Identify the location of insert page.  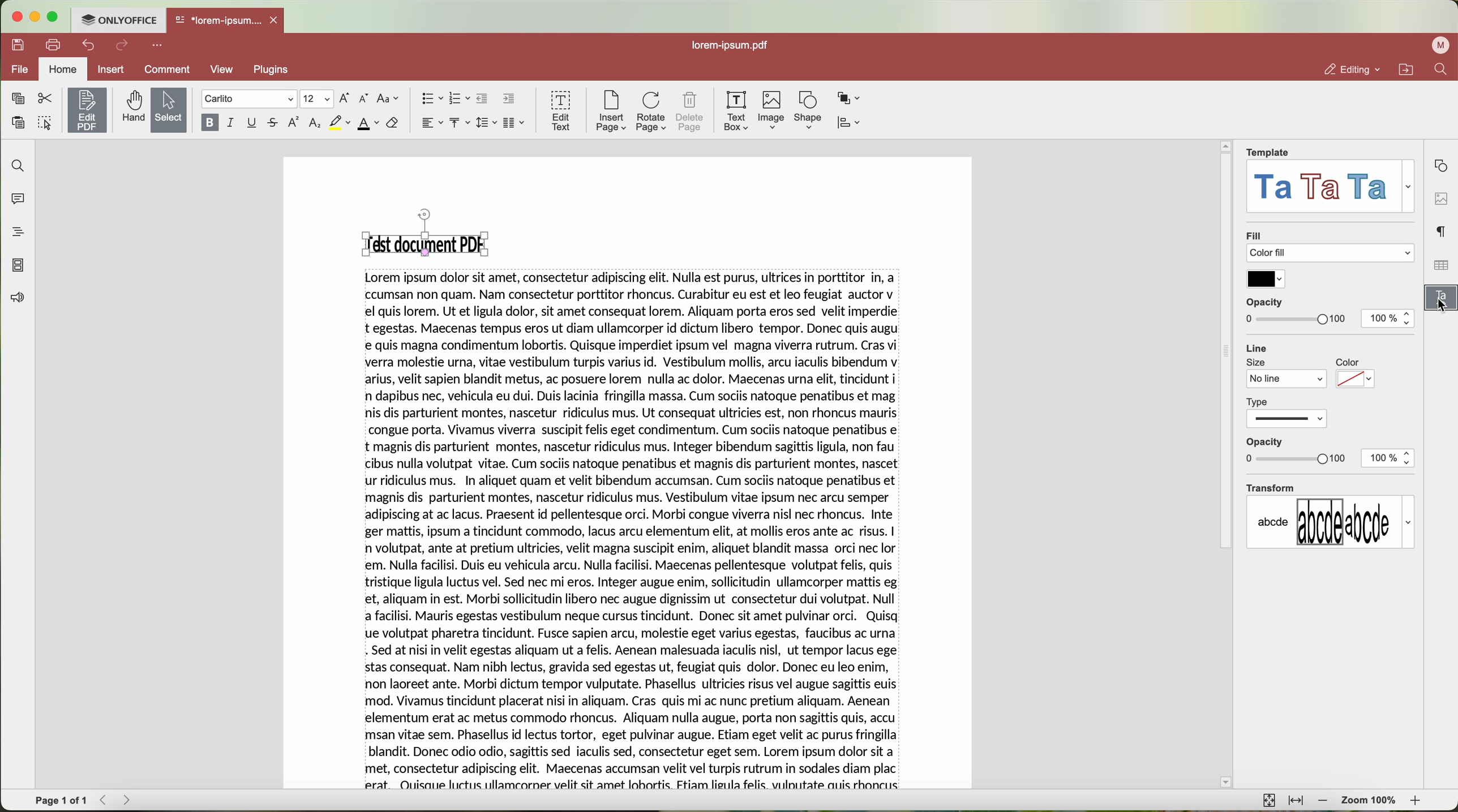
(610, 113).